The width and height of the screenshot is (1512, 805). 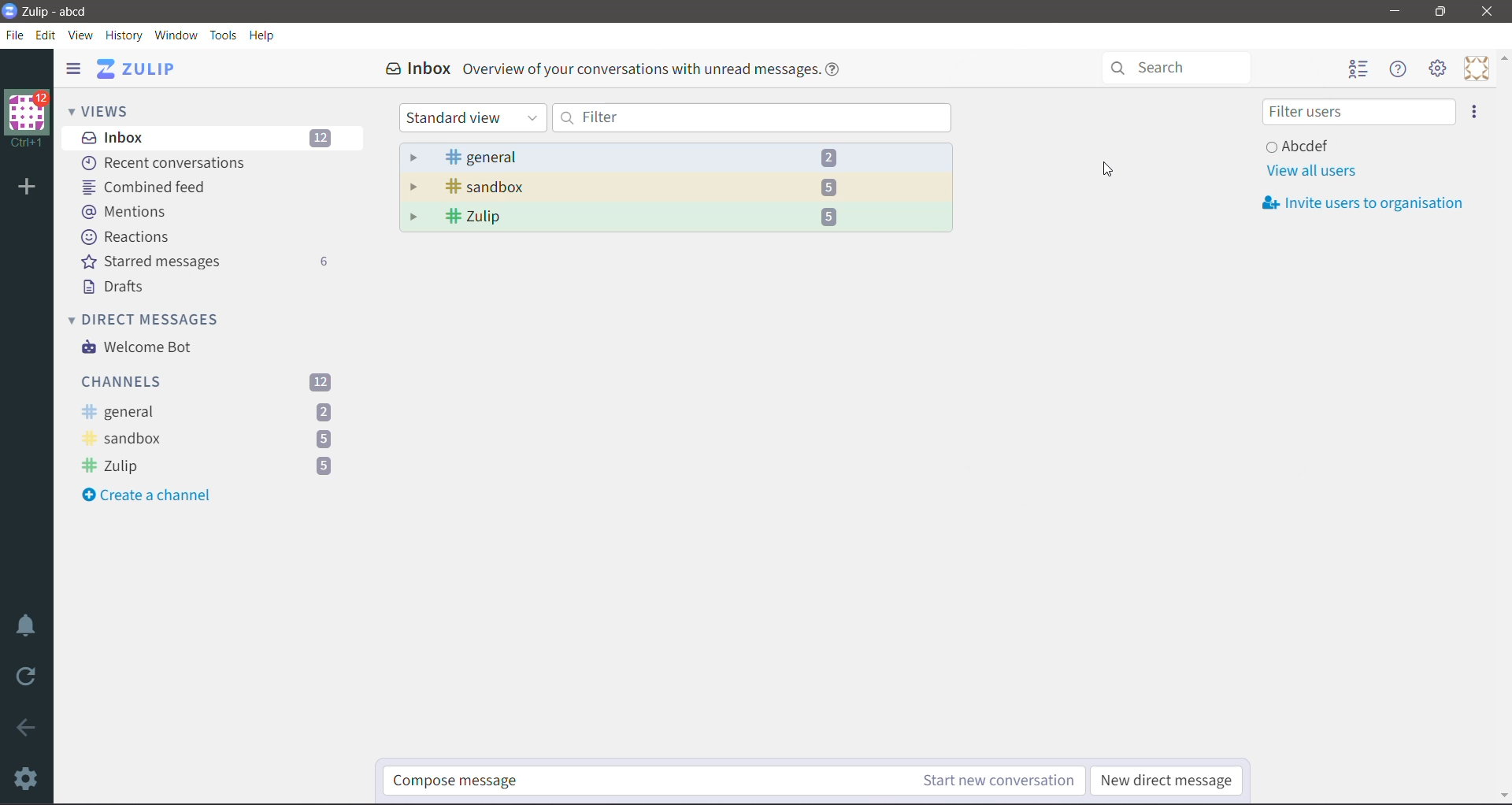 What do you see at coordinates (126, 35) in the screenshot?
I see `History` at bounding box center [126, 35].